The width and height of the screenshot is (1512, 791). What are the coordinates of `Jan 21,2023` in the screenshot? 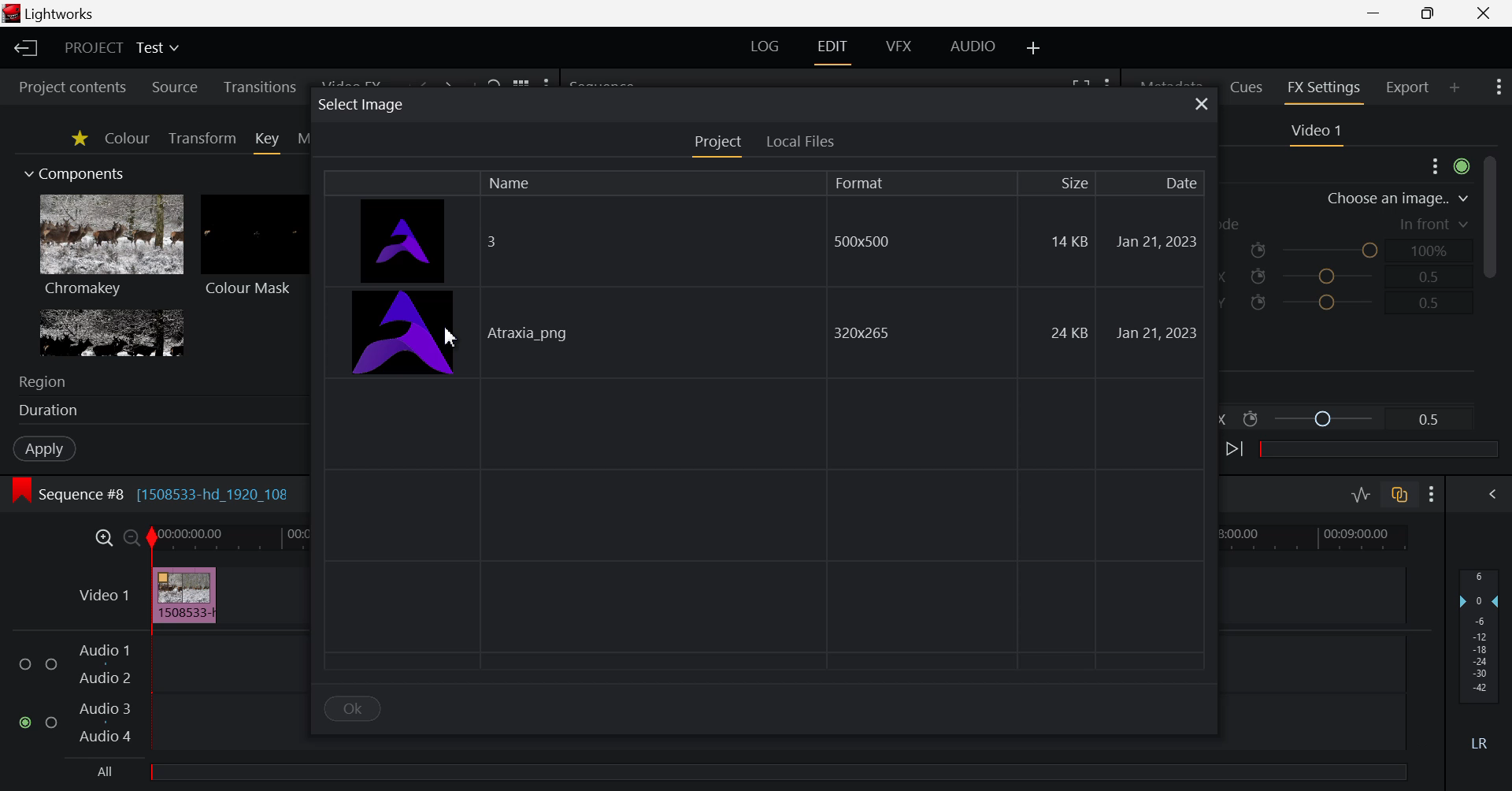 It's located at (1159, 332).